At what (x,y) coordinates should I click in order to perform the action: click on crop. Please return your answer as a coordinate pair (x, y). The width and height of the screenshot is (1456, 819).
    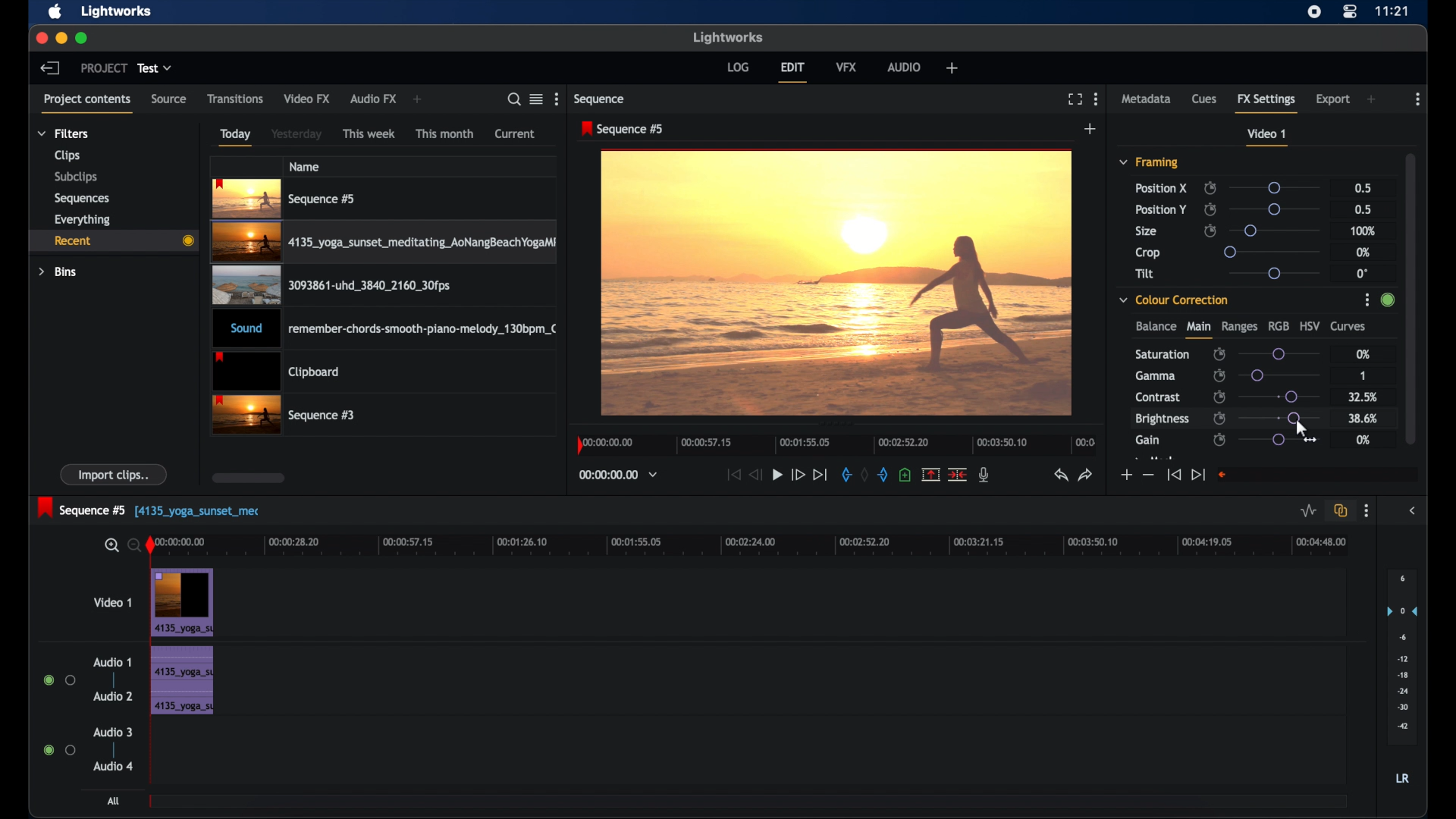
    Looking at the image, I should click on (1148, 253).